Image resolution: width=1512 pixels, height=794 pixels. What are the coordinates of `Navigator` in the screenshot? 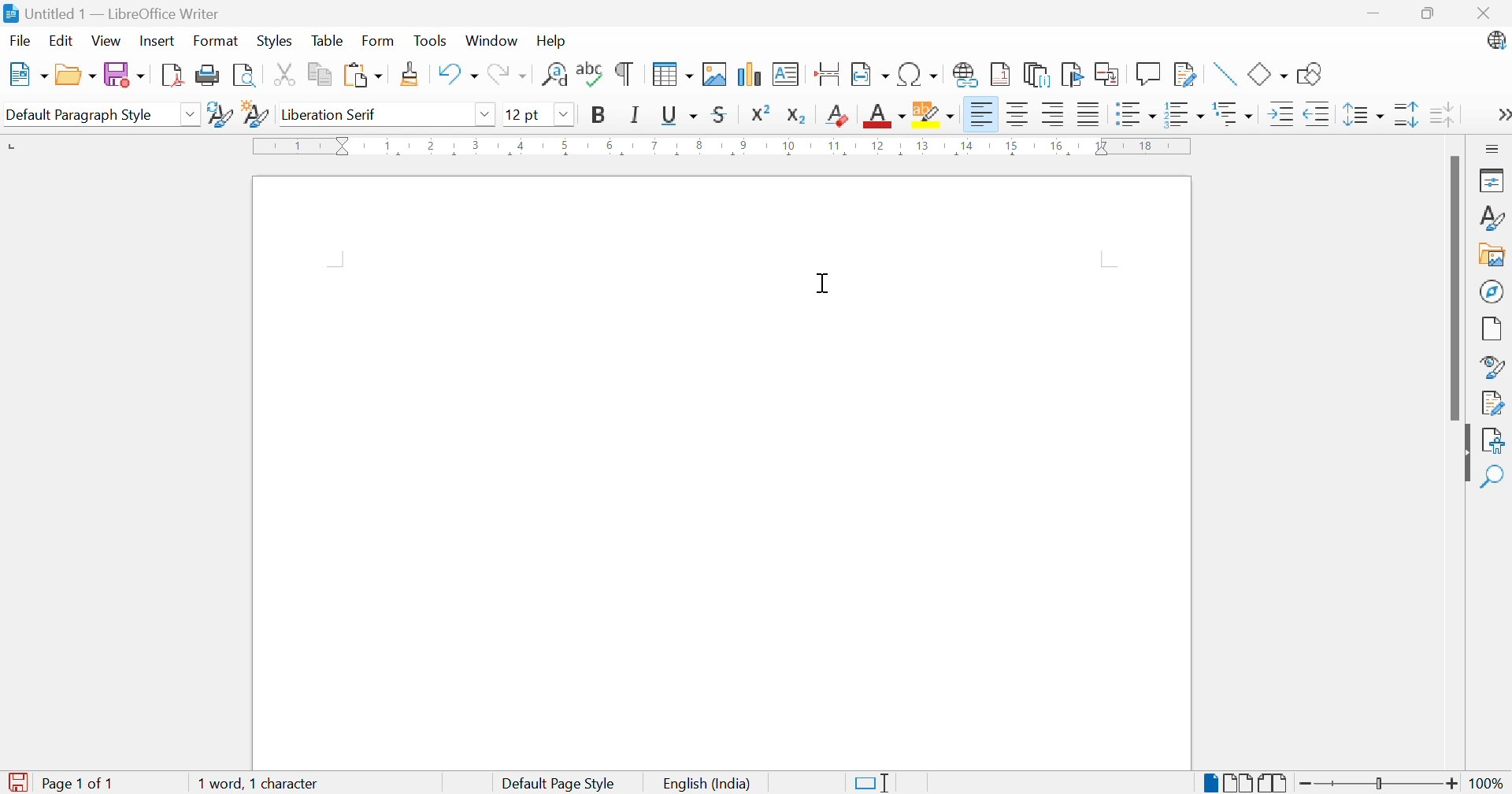 It's located at (1491, 291).